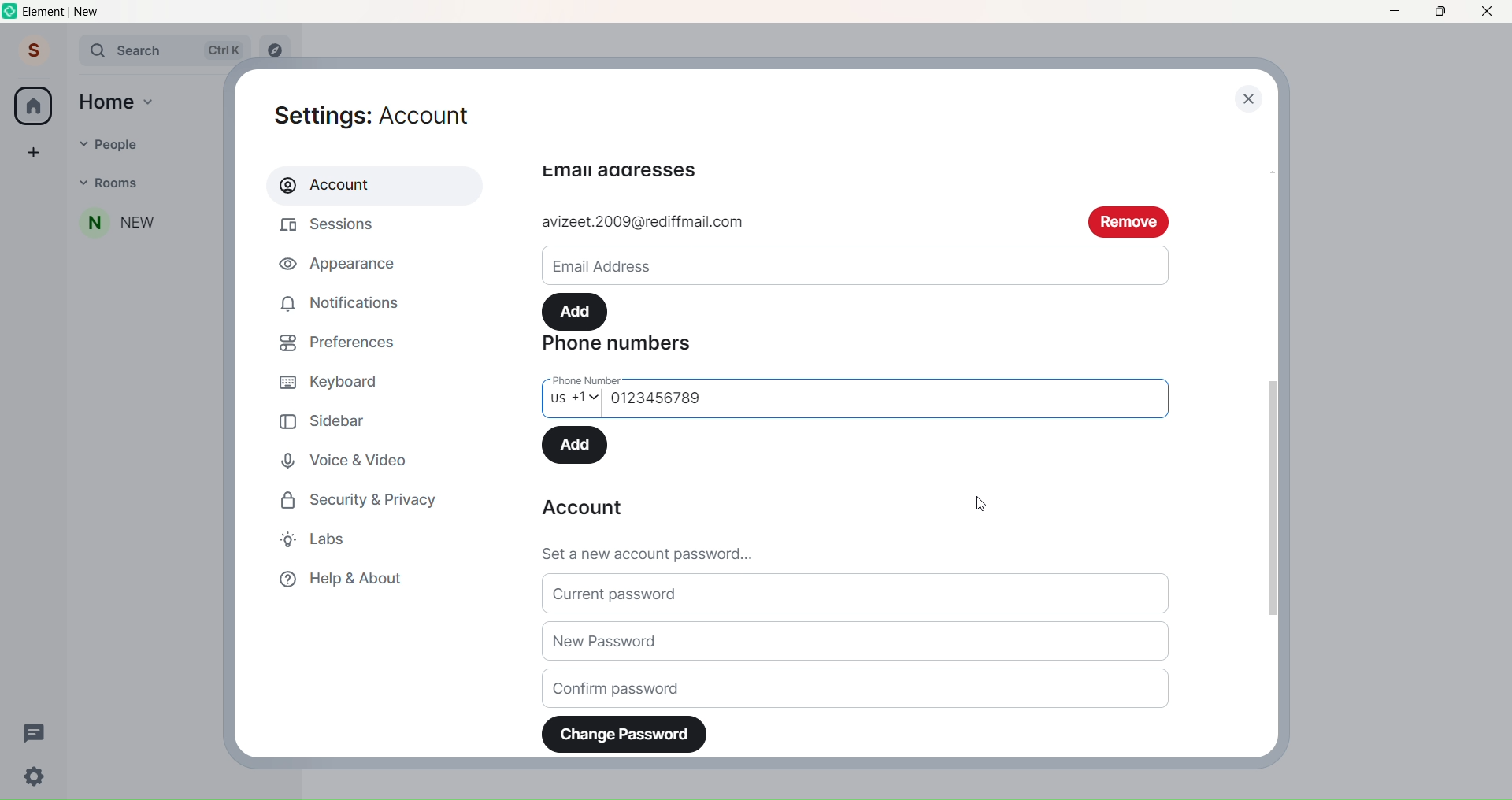 The height and width of the screenshot is (800, 1512). I want to click on Add, so click(577, 309).